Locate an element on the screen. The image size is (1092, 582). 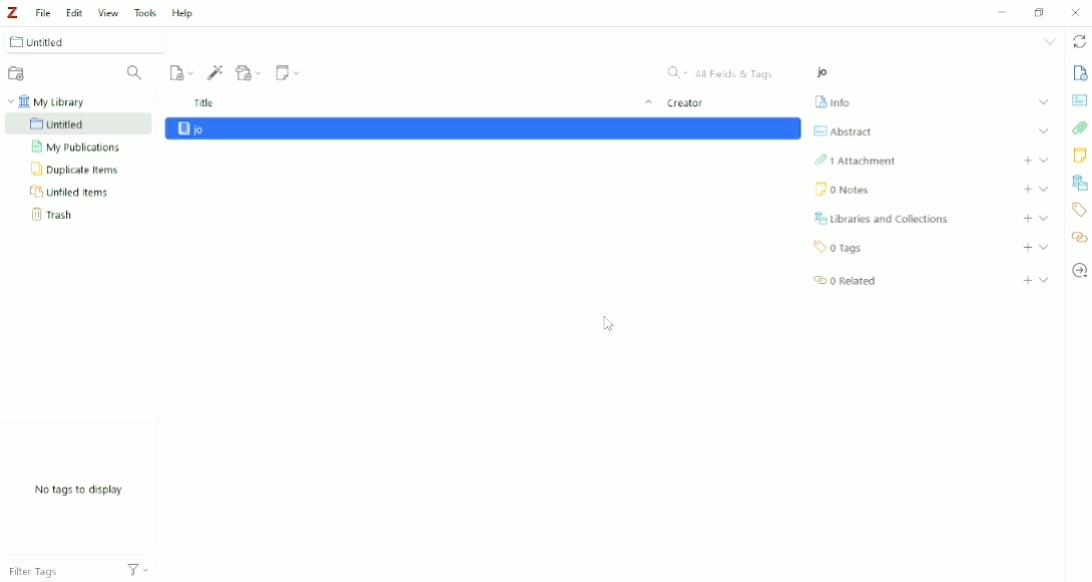
Expand Section is located at coordinates (1045, 279).